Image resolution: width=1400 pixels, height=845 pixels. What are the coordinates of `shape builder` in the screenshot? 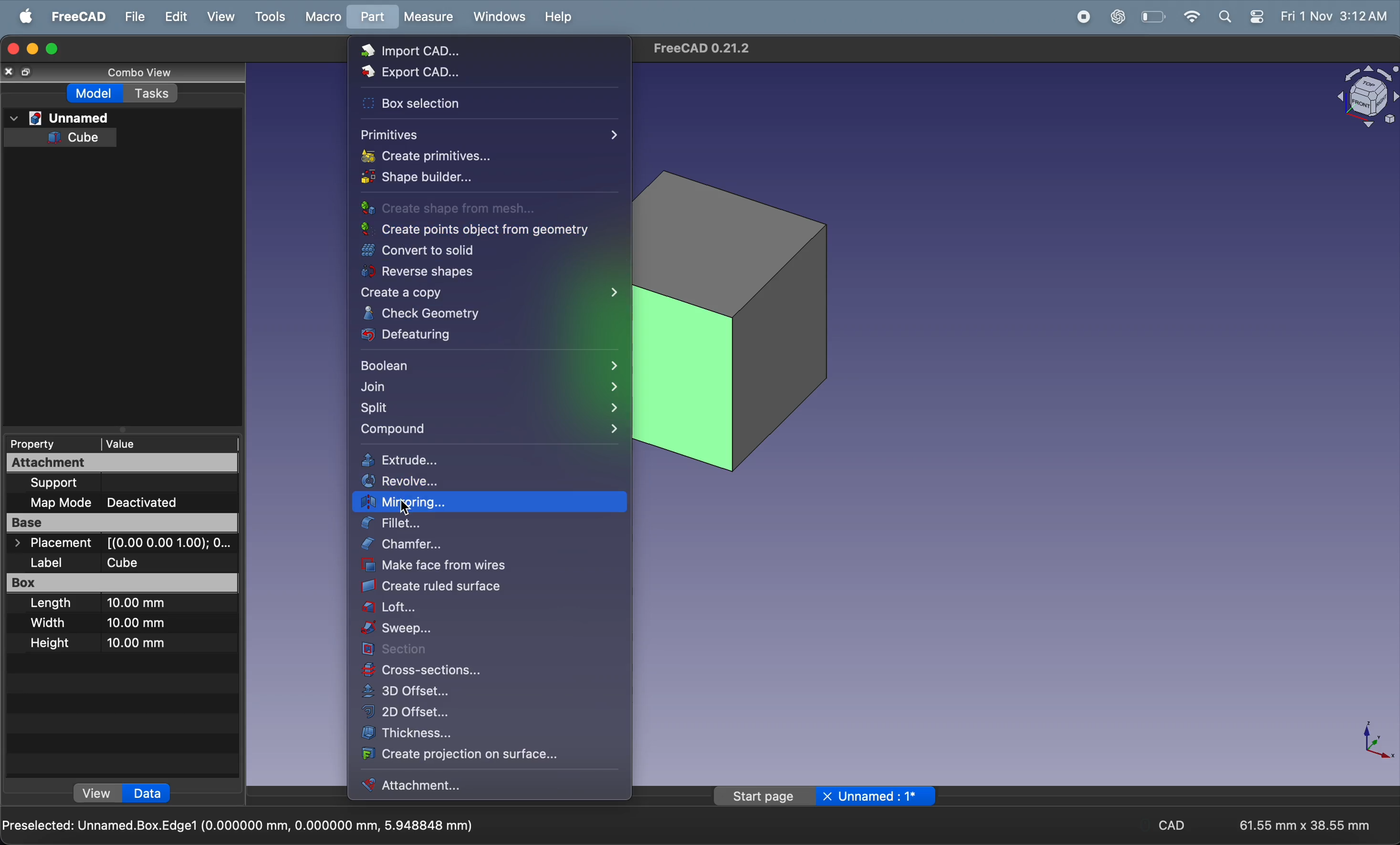 It's located at (489, 177).